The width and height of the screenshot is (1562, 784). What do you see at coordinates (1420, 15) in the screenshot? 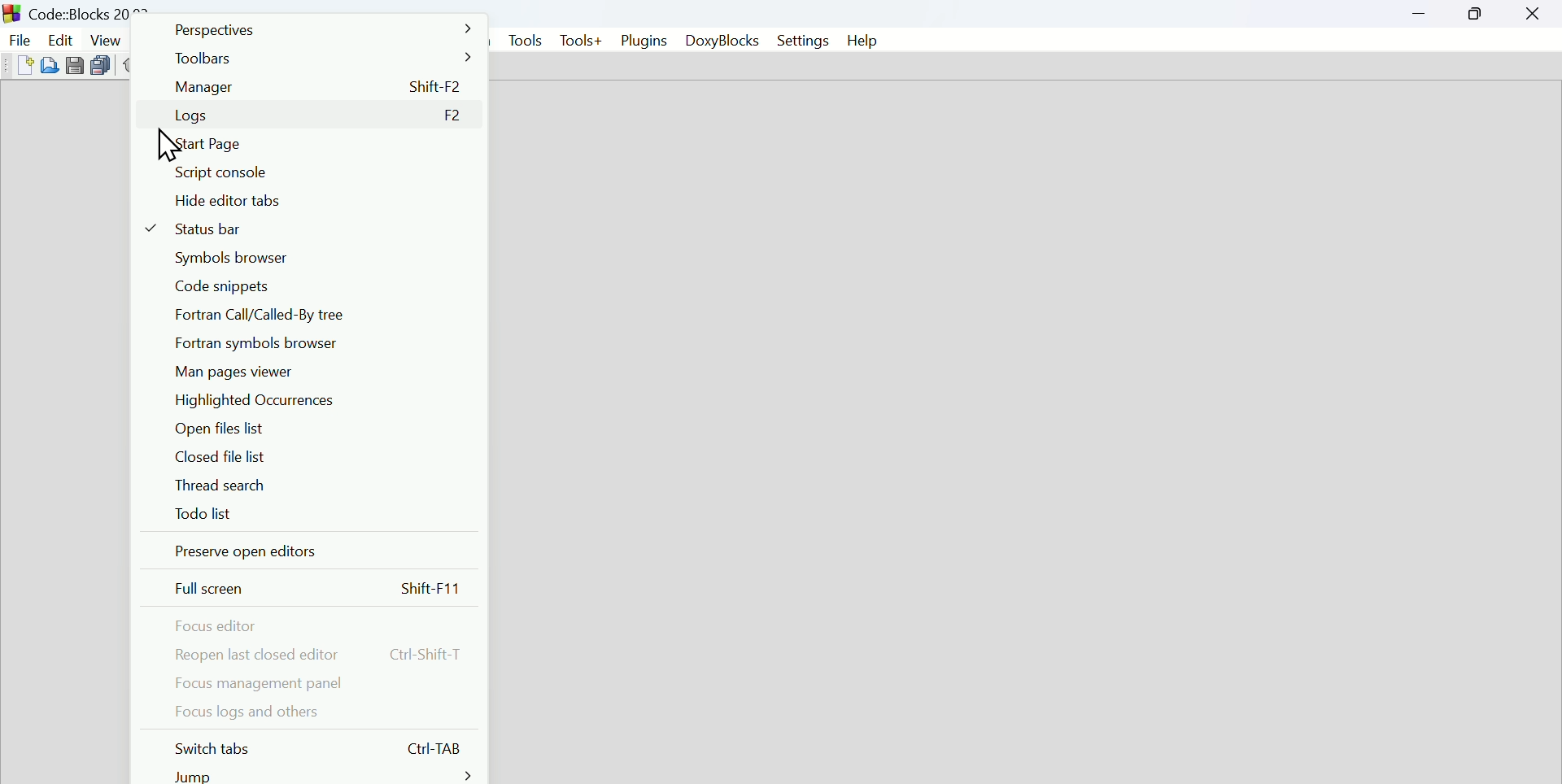
I see `minimize` at bounding box center [1420, 15].